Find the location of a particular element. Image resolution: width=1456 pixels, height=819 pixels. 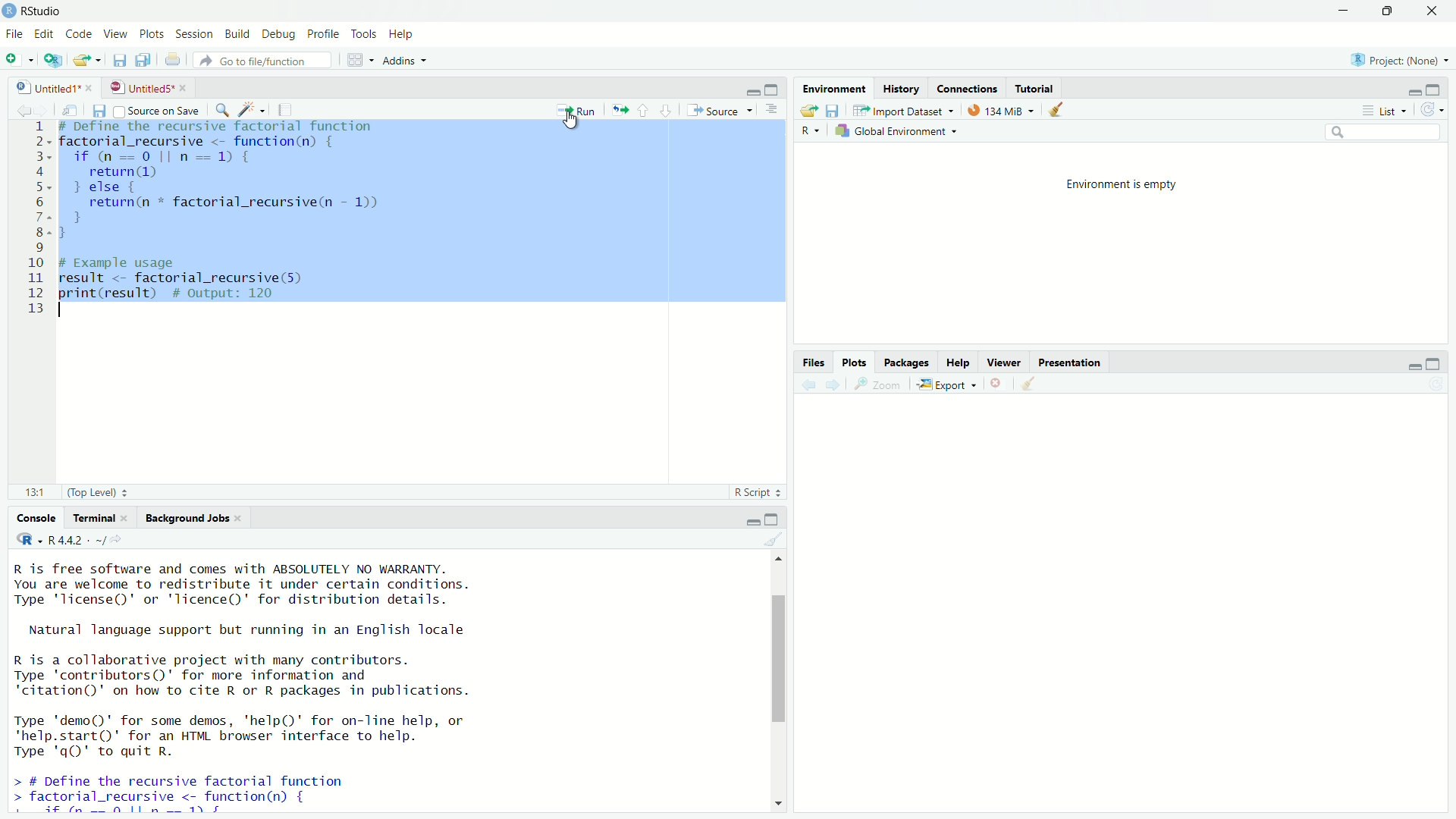

R is free software and comes with ABSOLUTELY NO WARRANTY.

You are welcome to redistribute it under certain conditions.

Type 'license()' or 'licence()' for distribution details.
Natural language support but running in an English locale

R is a collaborative project with many contributors.

Type 'contributors()' for more information and

‘citation()' on how to cite R or R packages in publications.

Type 'demo()' for some demos, 'help()' for on-line help, or

'help.start()' for an HTML browser interface to help.

Type 'q0"' to quit R.

> # Define the recursive factorial function

> factorial_recursive <- function(n) {

if fm o— nlm) S is located at coordinates (240, 689).